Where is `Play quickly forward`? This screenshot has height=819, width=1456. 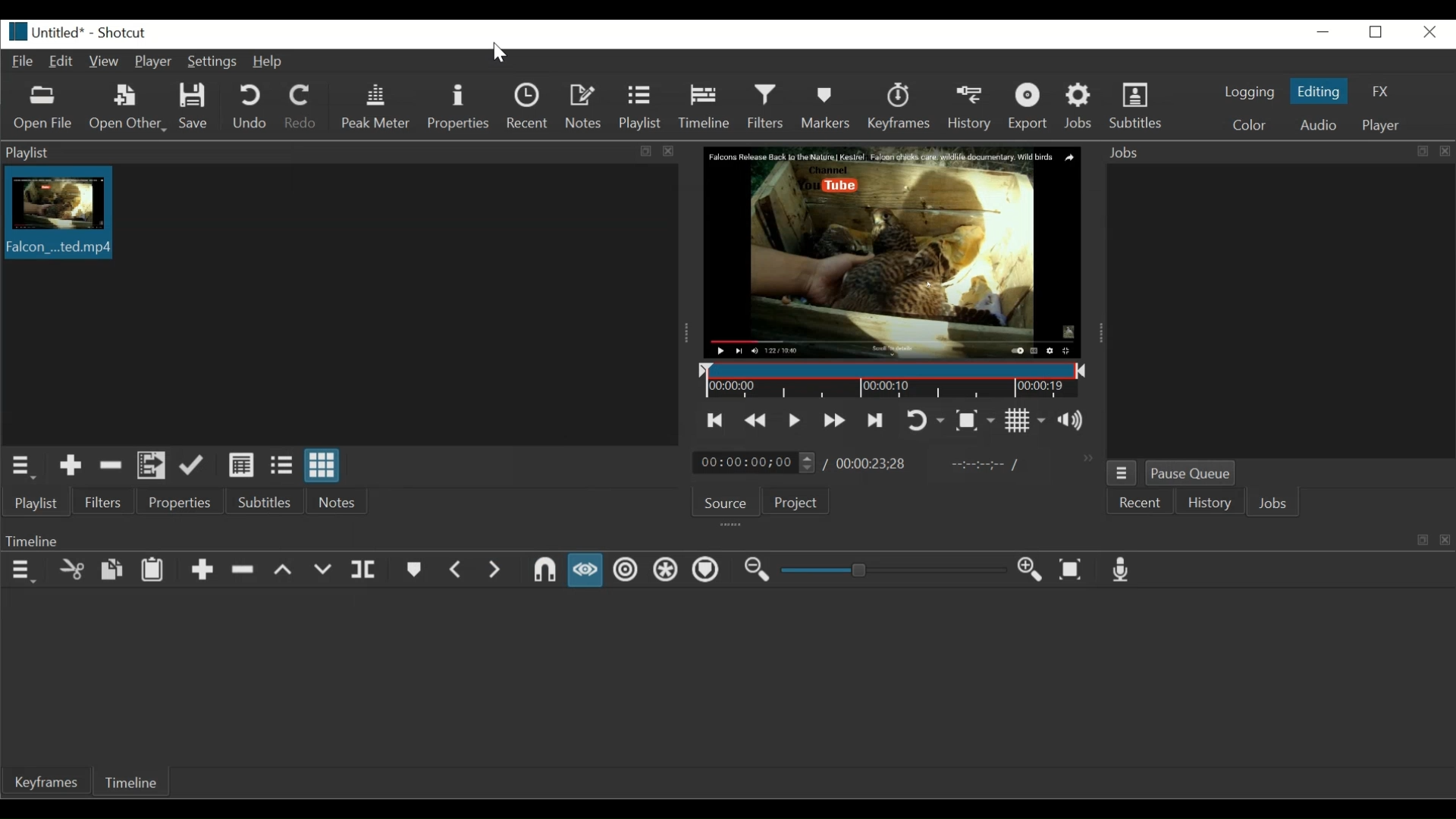
Play quickly forward is located at coordinates (833, 421).